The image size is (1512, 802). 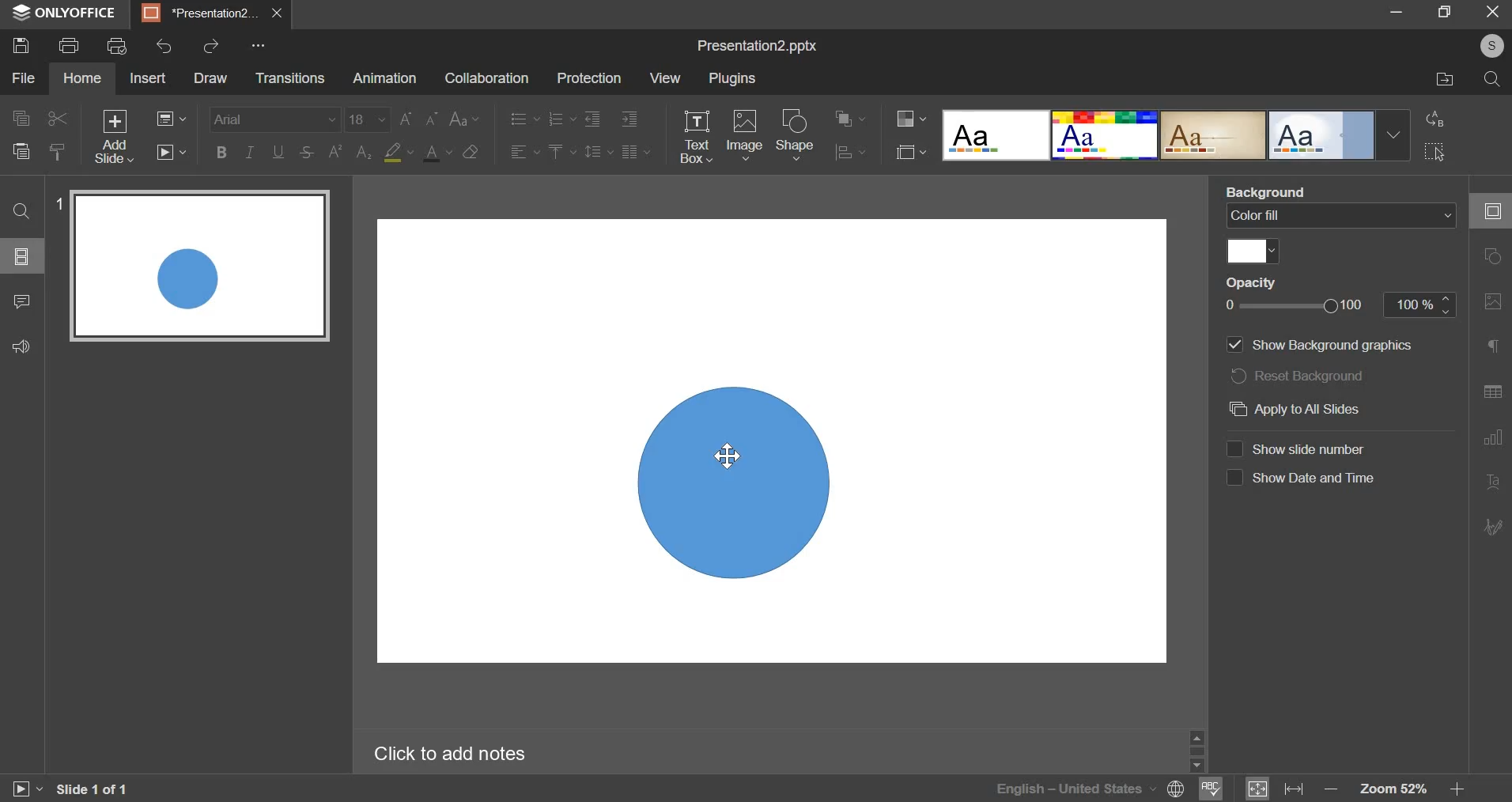 What do you see at coordinates (20, 211) in the screenshot?
I see `find` at bounding box center [20, 211].